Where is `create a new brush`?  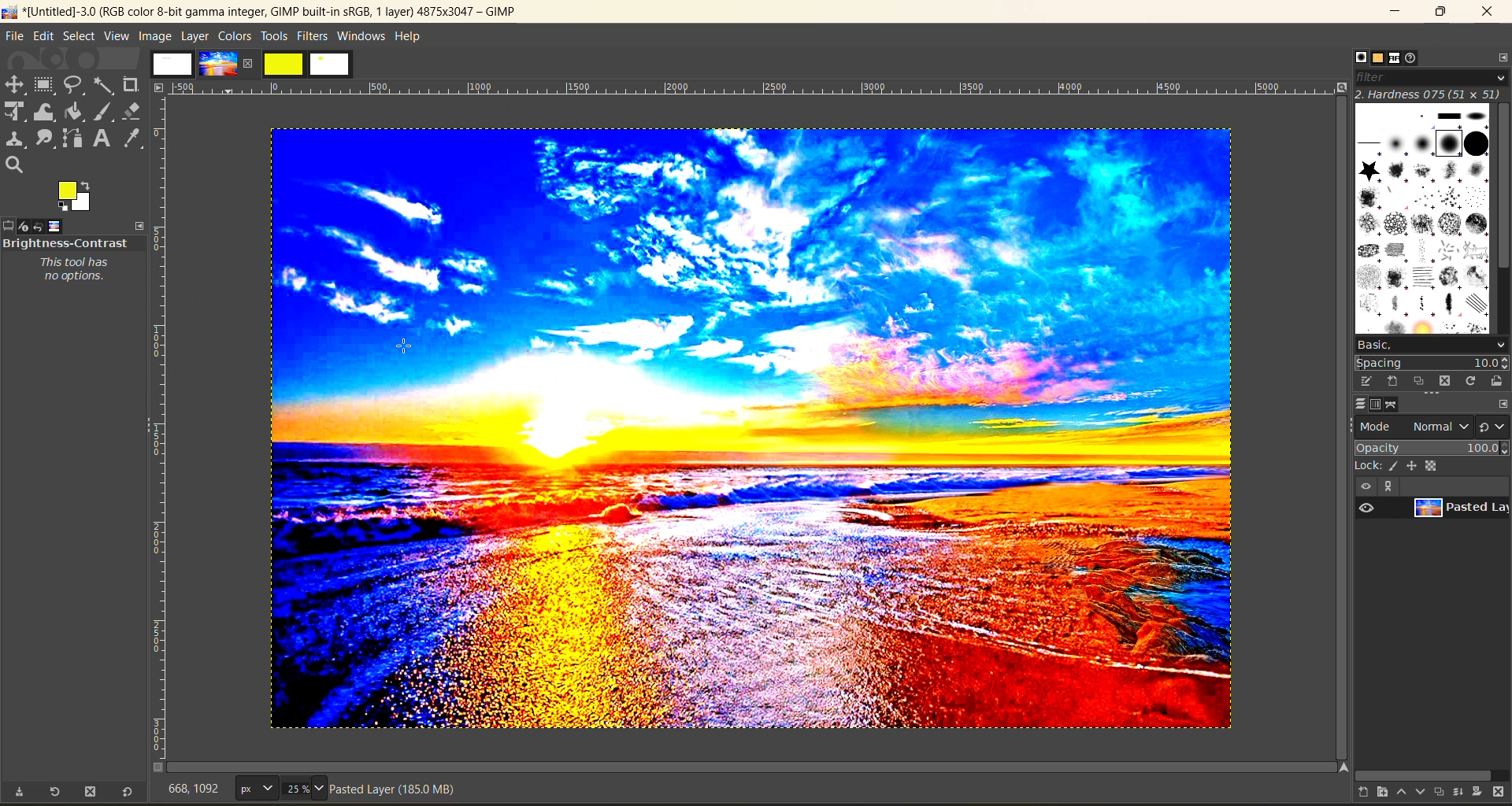 create a new brush is located at coordinates (1391, 380).